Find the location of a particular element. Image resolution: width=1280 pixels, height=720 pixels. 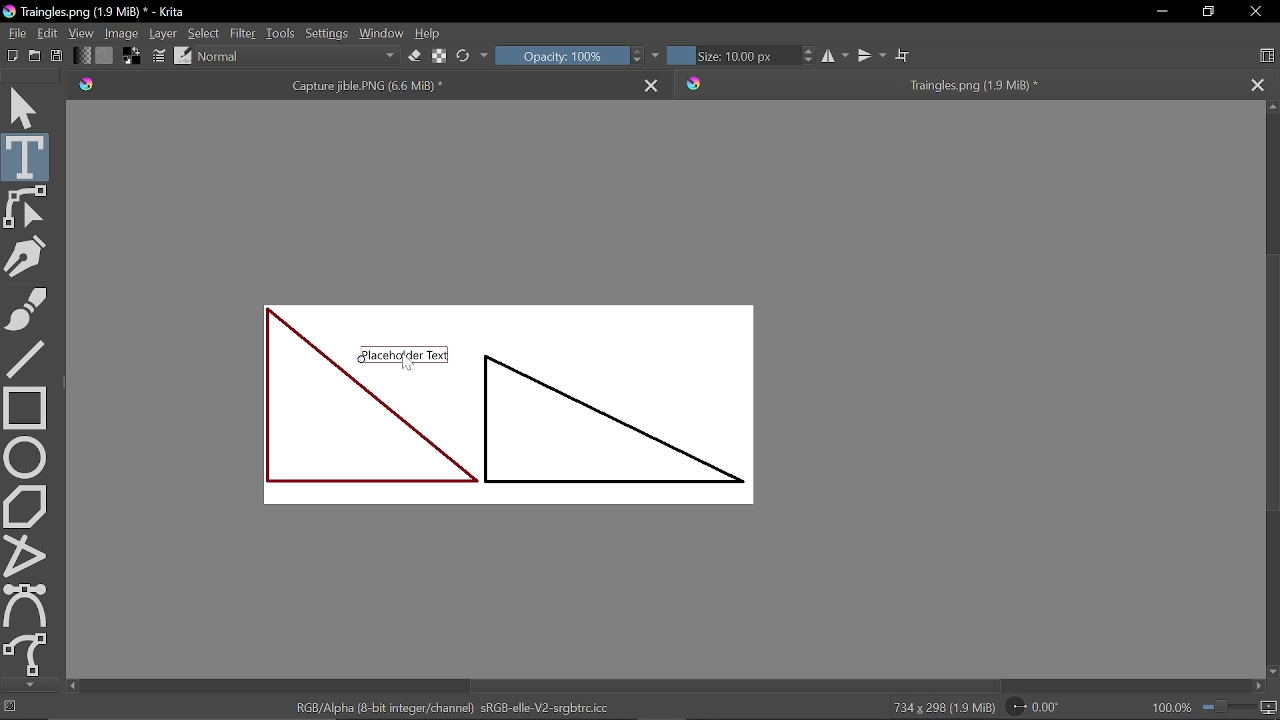

Ellipse tool is located at coordinates (28, 456).